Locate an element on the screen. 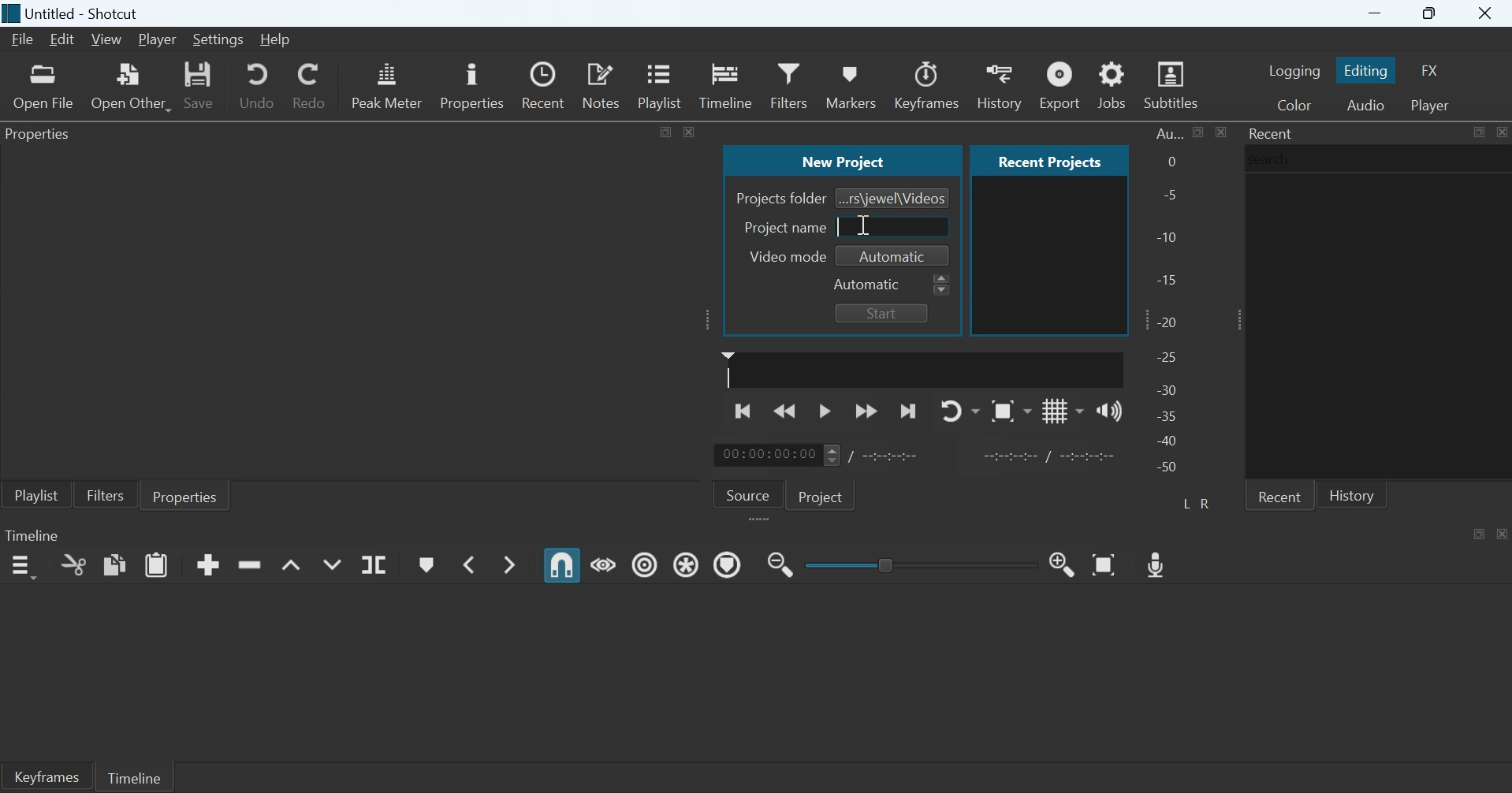 The height and width of the screenshot is (793, 1512). close is located at coordinates (1220, 132).